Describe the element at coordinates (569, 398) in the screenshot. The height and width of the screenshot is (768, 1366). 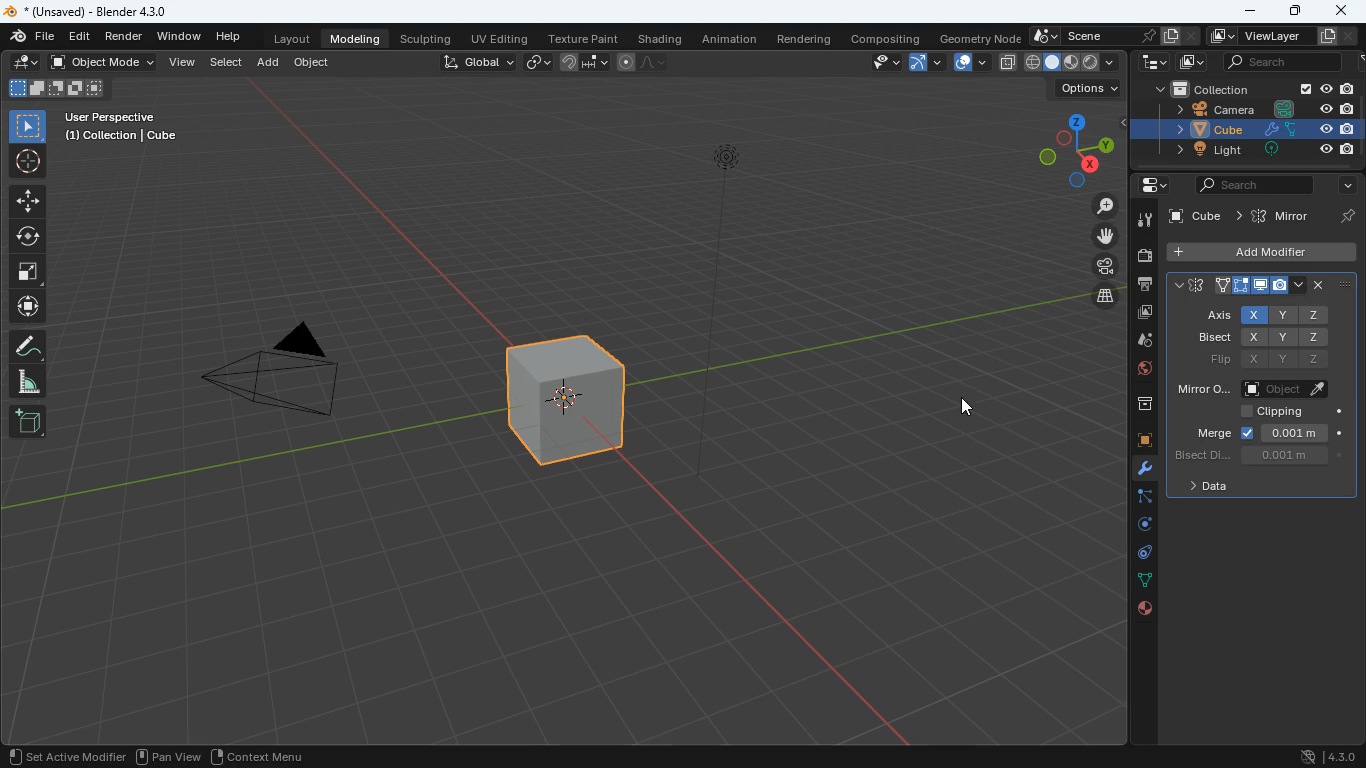
I see `cube` at that location.